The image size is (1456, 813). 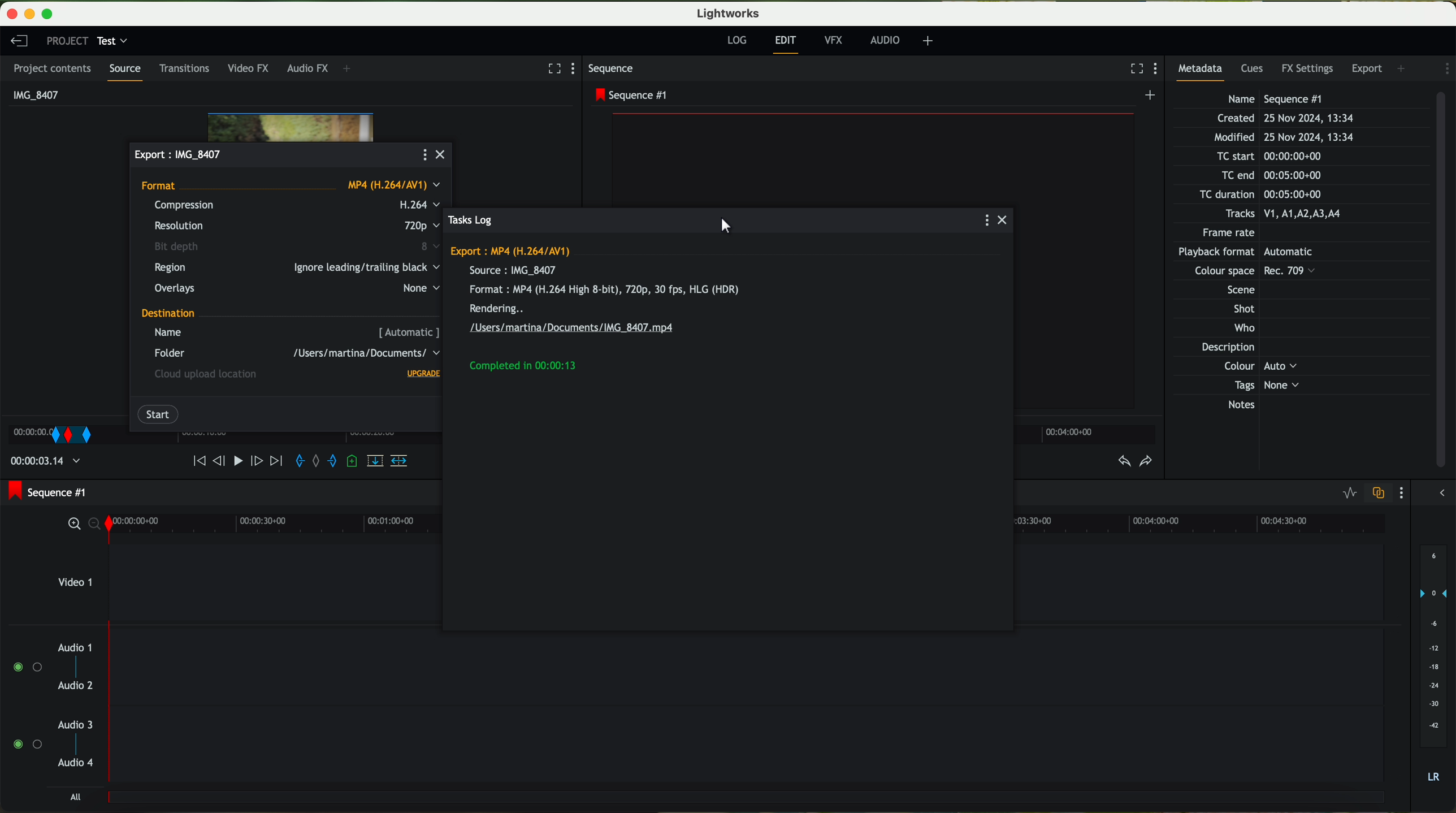 What do you see at coordinates (856, 462) in the screenshot?
I see `move foward` at bounding box center [856, 462].